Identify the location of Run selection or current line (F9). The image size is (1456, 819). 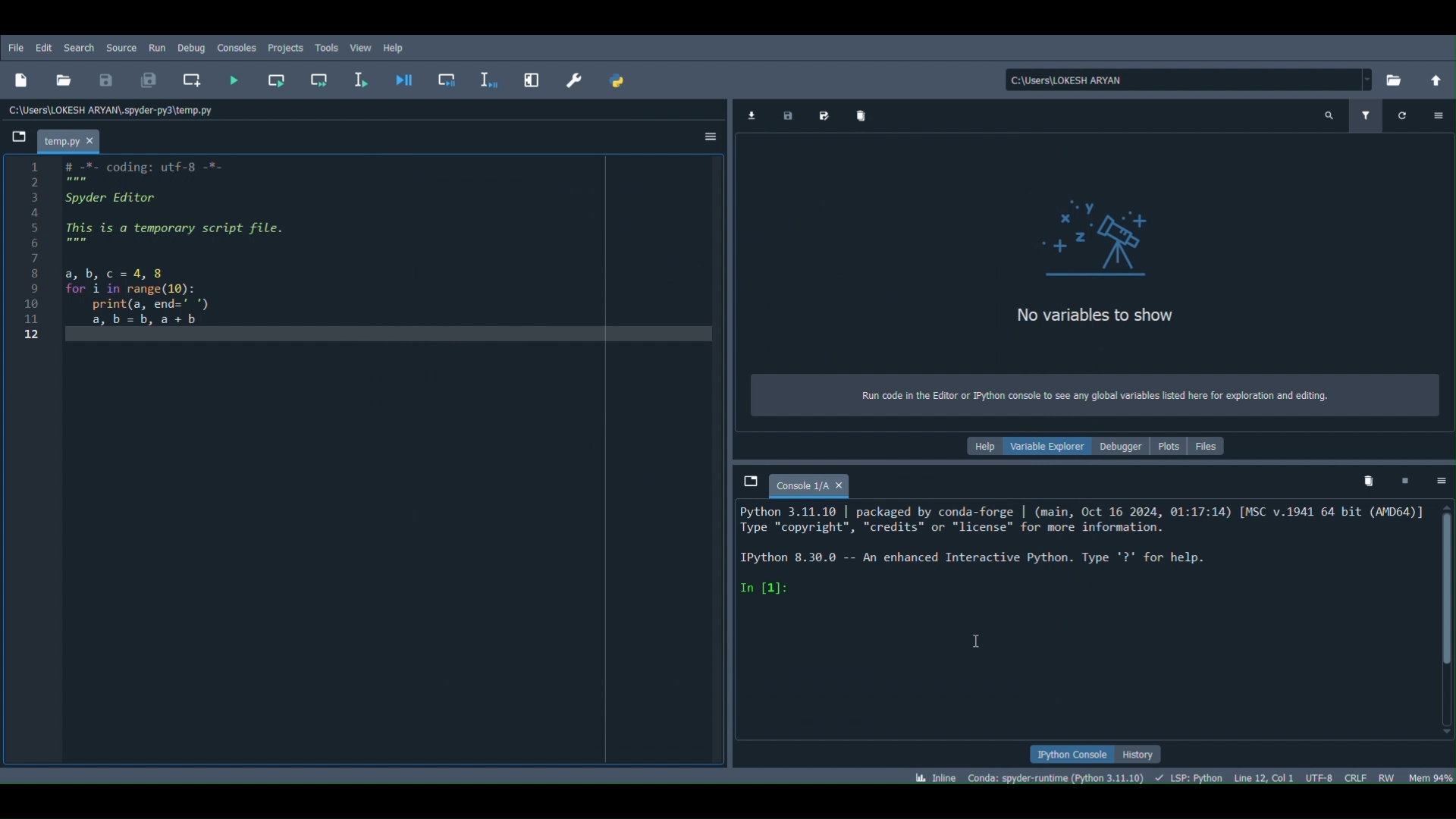
(358, 78).